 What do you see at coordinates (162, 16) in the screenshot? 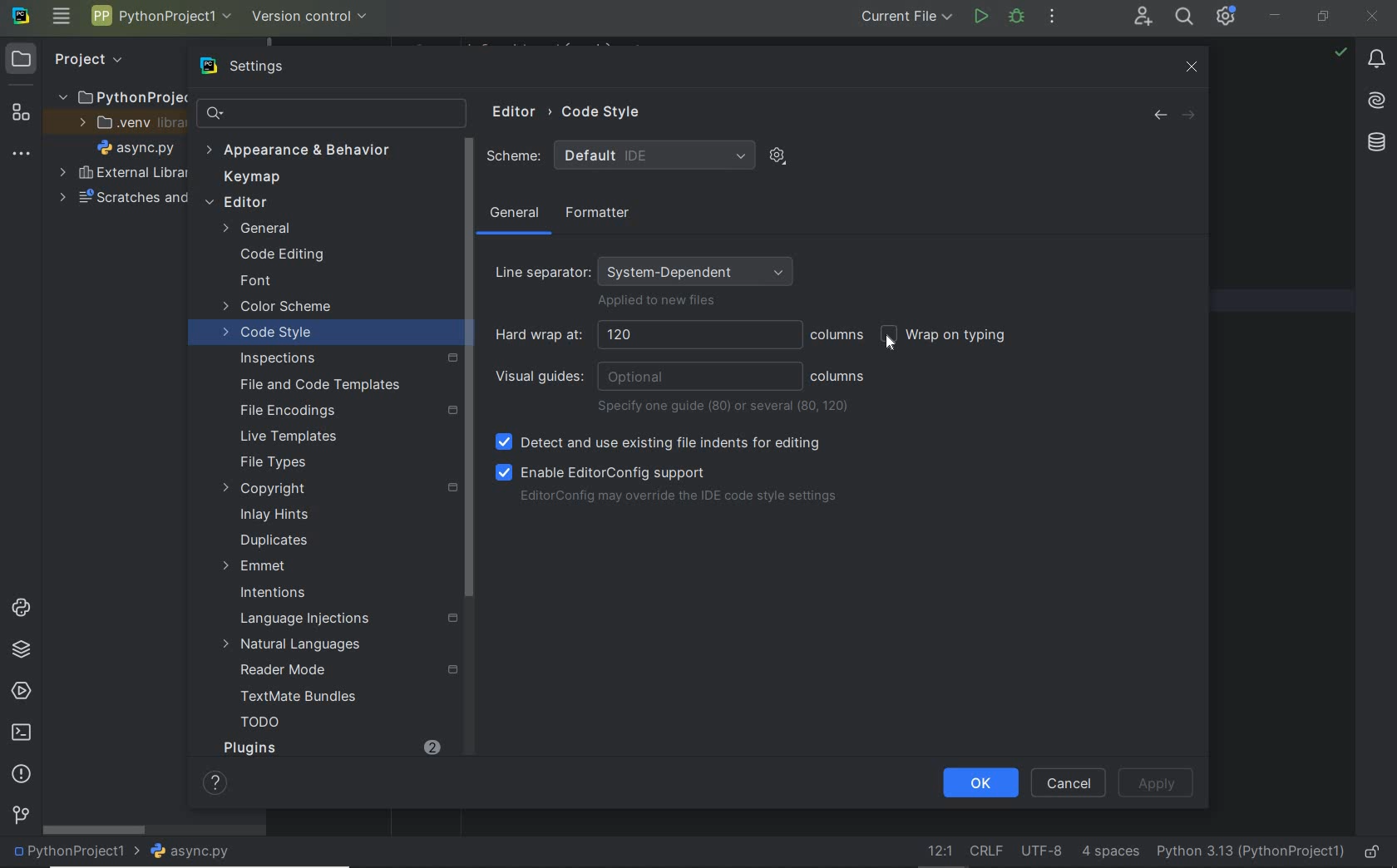
I see `project name` at bounding box center [162, 16].